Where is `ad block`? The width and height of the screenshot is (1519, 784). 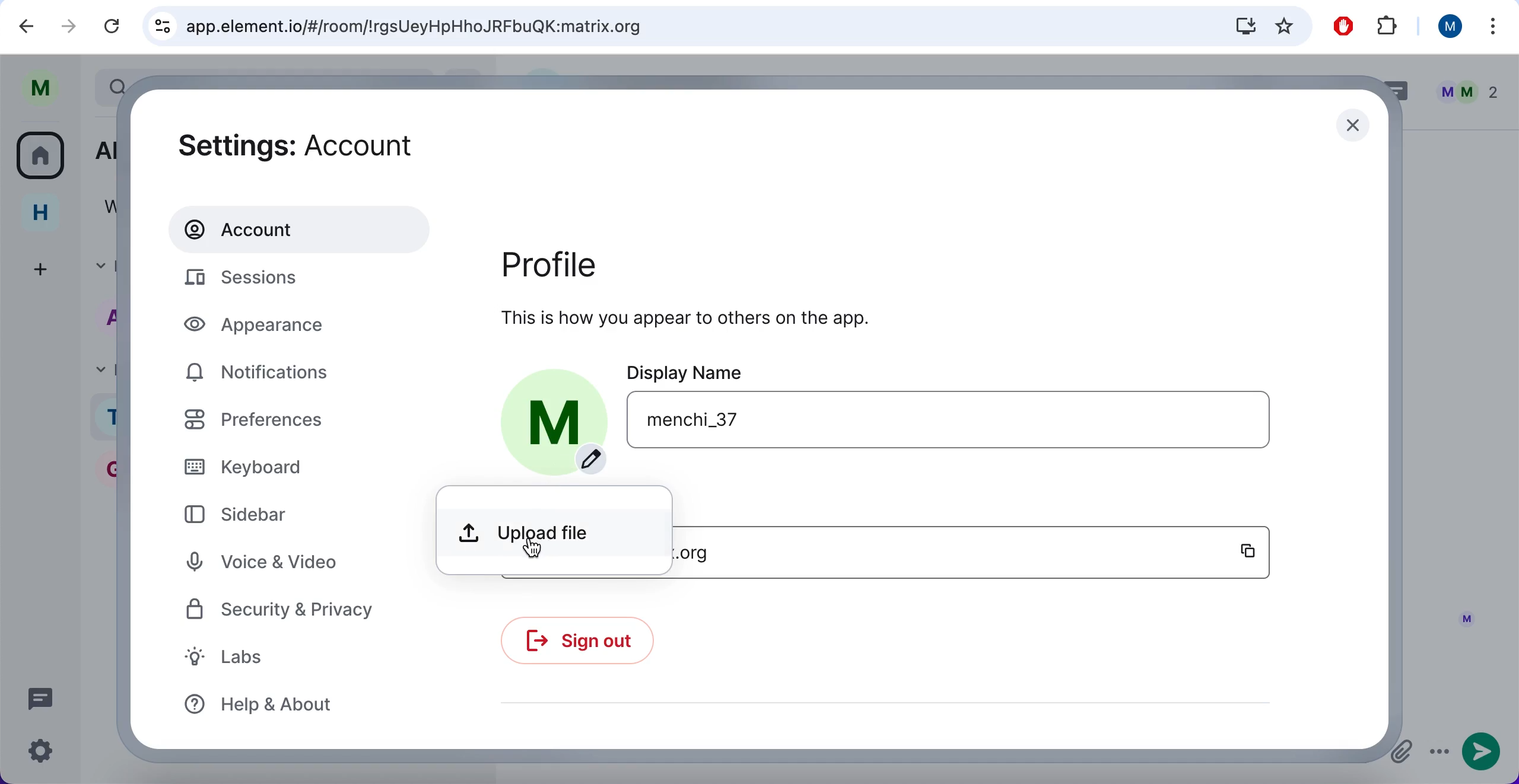 ad block is located at coordinates (1340, 26).